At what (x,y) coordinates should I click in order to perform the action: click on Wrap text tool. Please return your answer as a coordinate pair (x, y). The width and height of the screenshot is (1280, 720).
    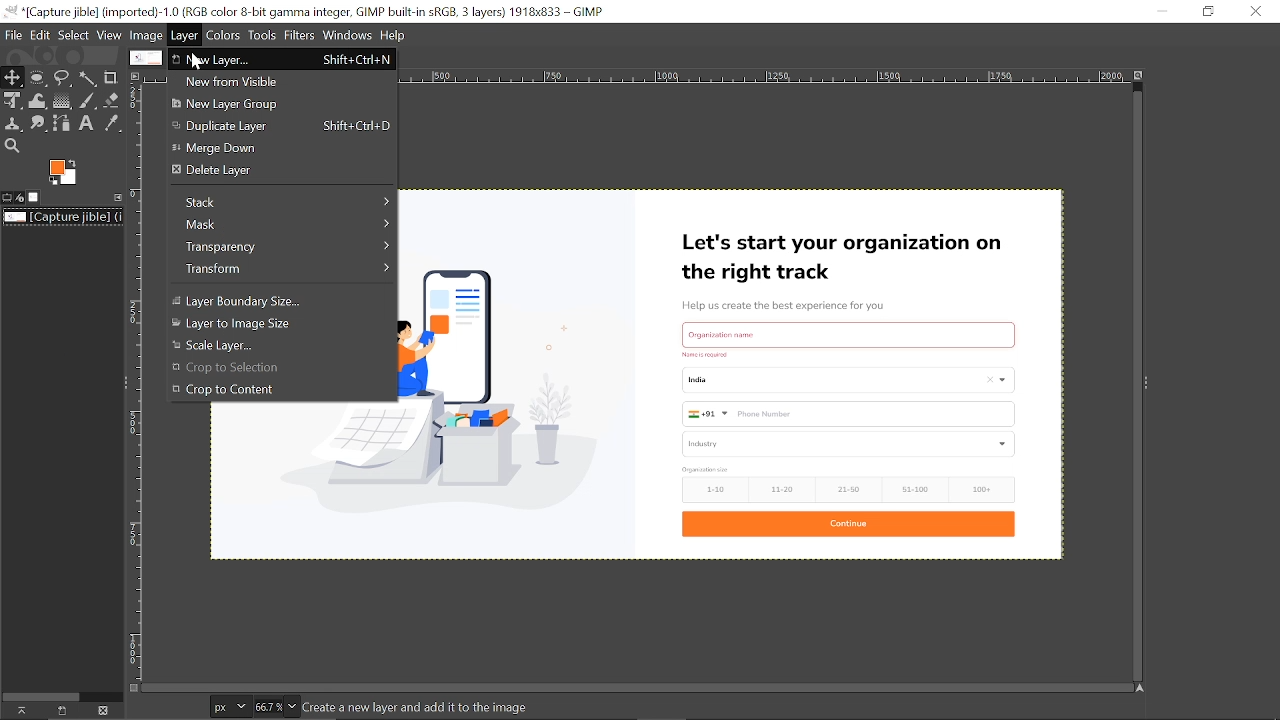
    Looking at the image, I should click on (39, 101).